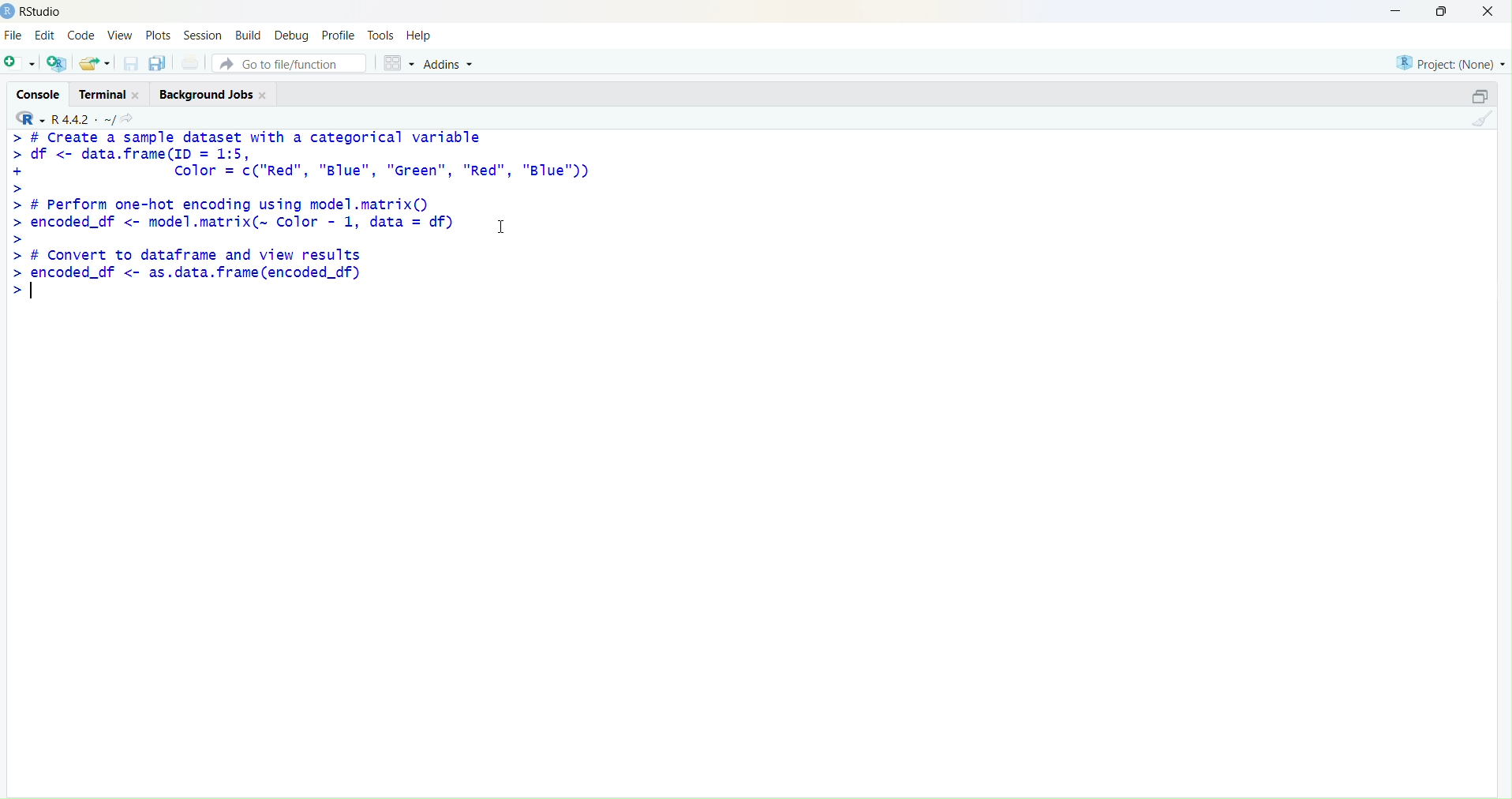 The width and height of the screenshot is (1512, 799). What do you see at coordinates (122, 35) in the screenshot?
I see `view` at bounding box center [122, 35].